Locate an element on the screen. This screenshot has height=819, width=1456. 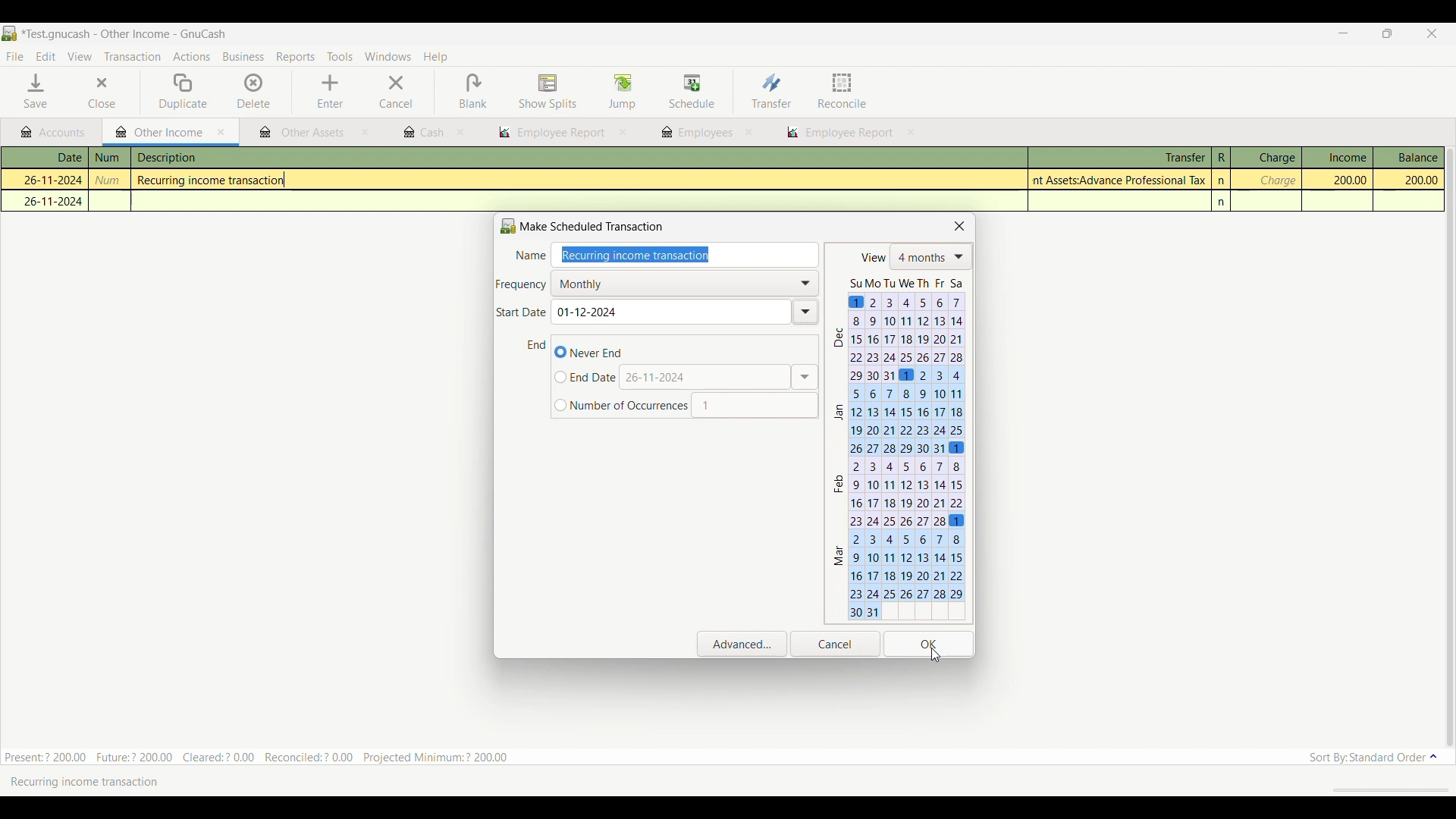
Help menu is located at coordinates (436, 58).